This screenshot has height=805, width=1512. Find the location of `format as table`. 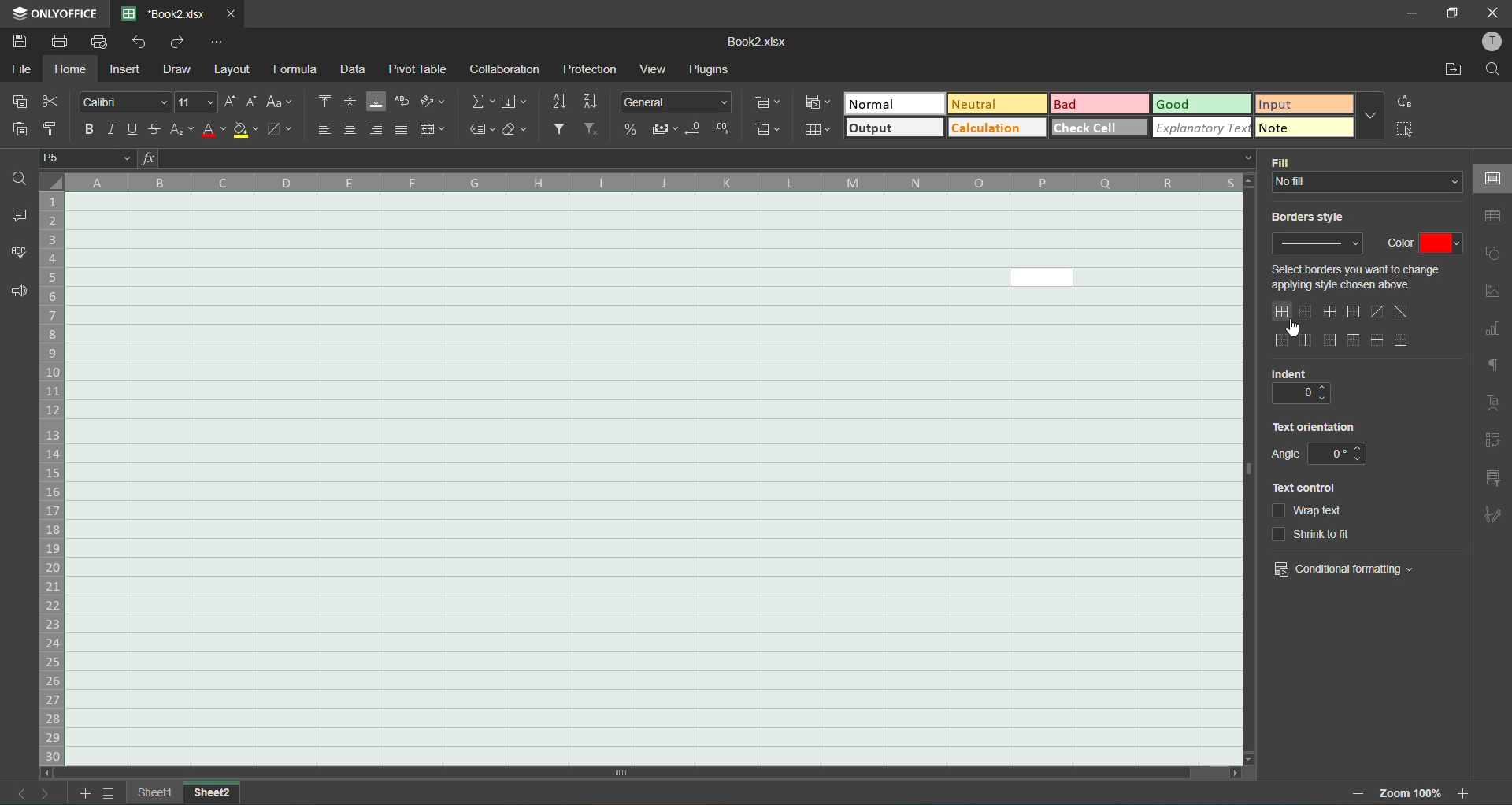

format as table is located at coordinates (817, 130).